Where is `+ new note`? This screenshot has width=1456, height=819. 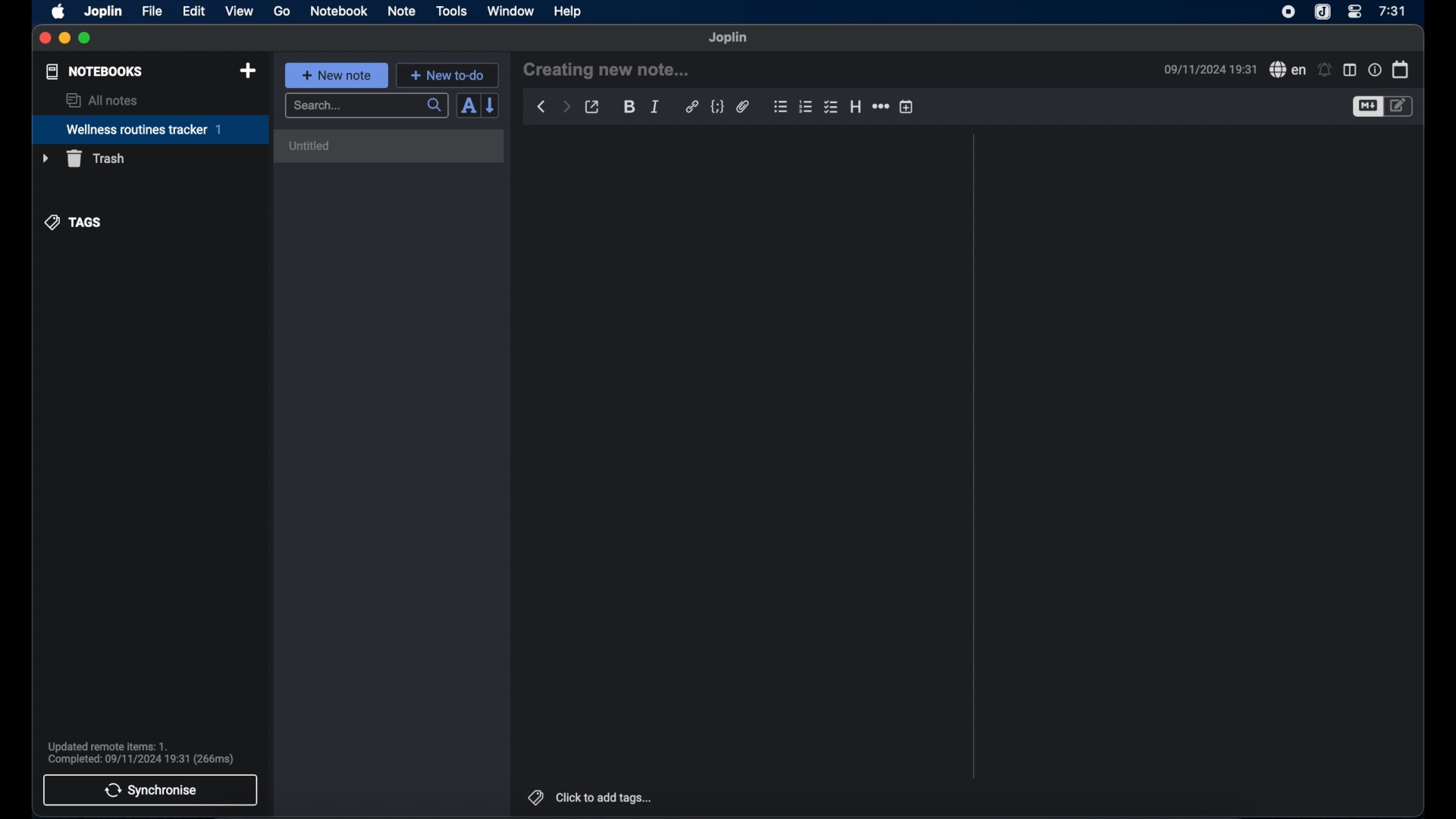 + new note is located at coordinates (337, 75).